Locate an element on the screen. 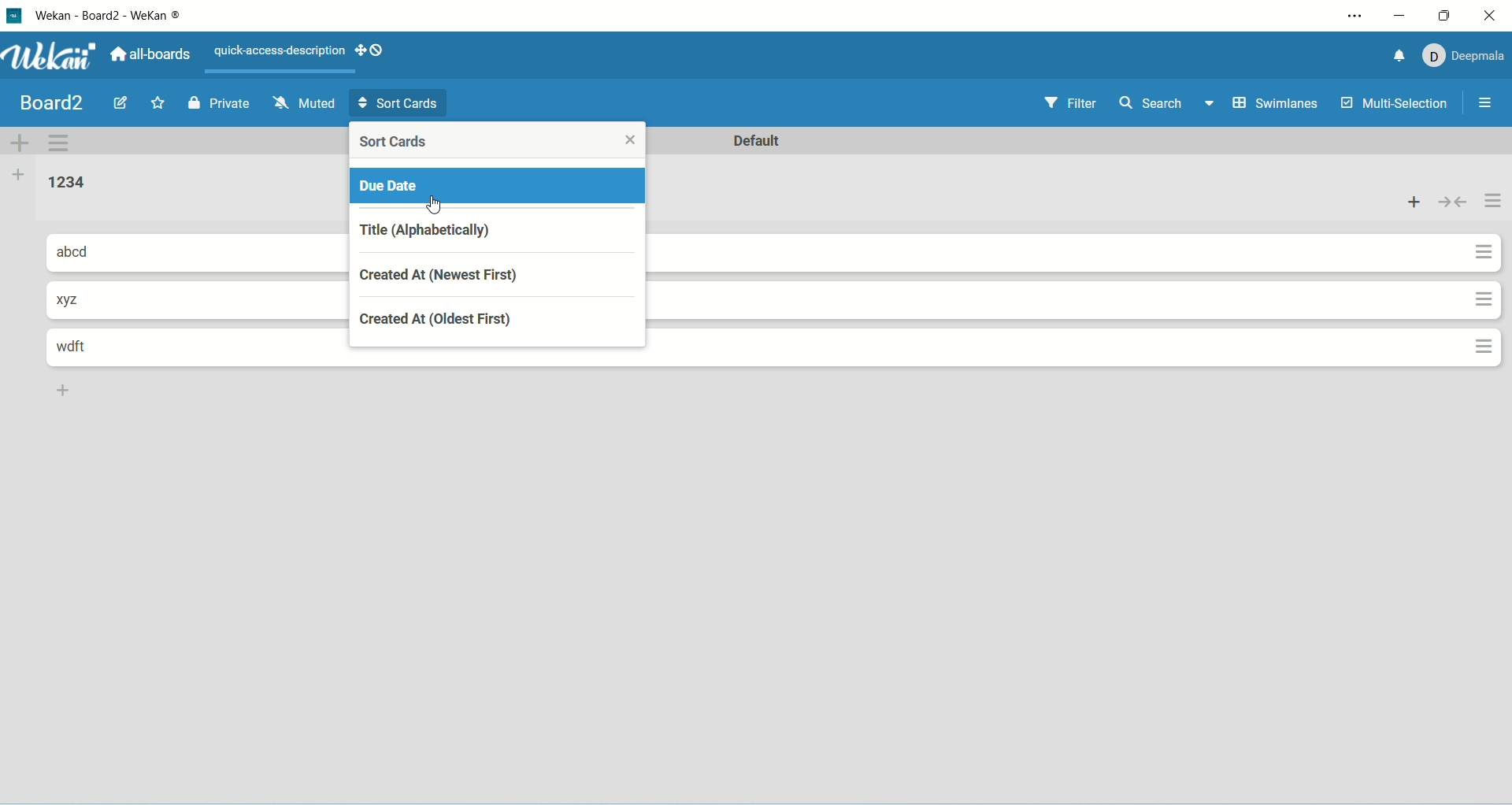 This screenshot has width=1512, height=805. show-desktop-drag-handles is located at coordinates (372, 51).